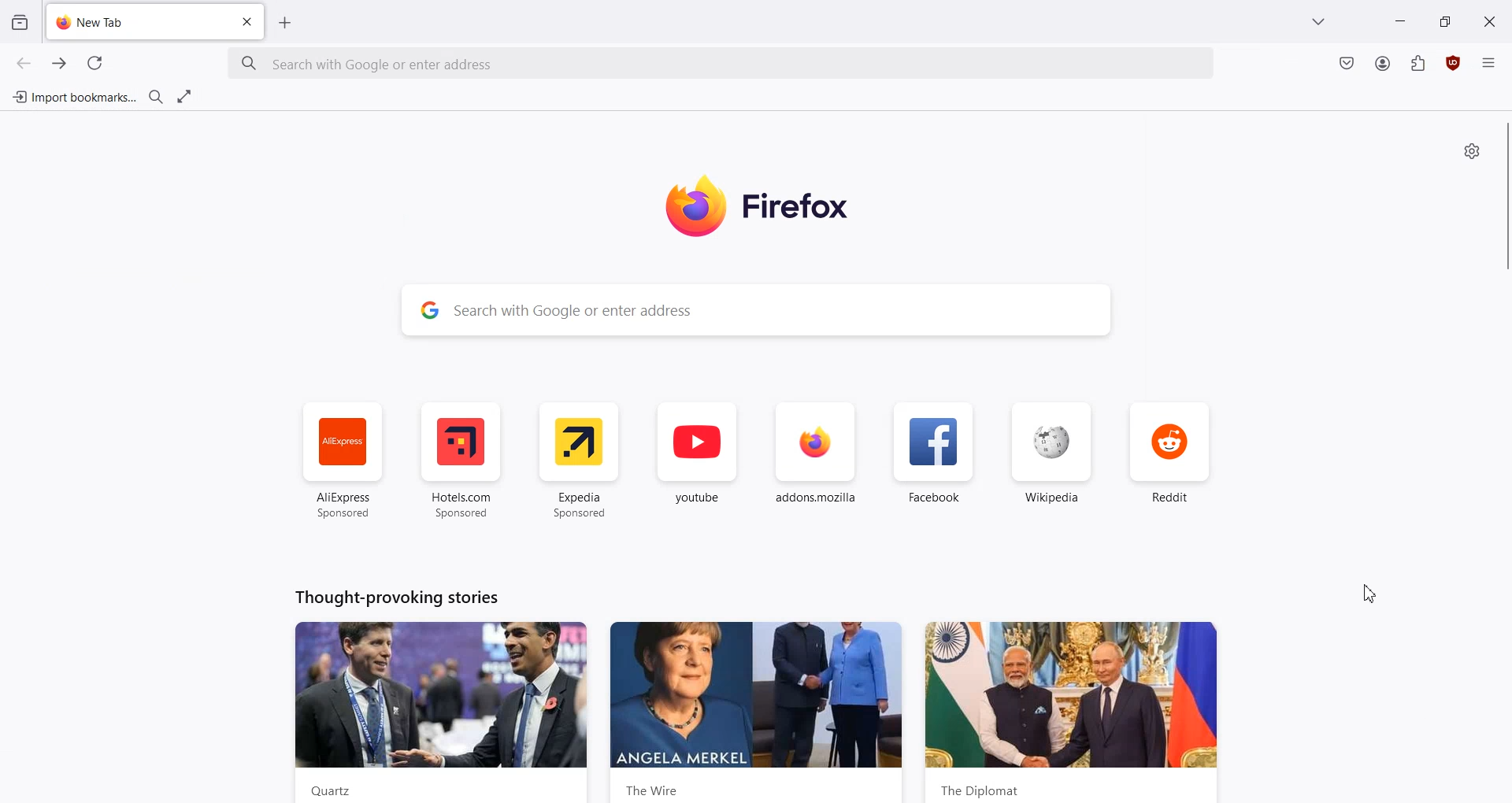 Image resolution: width=1512 pixels, height=803 pixels. I want to click on Personalize new Tab, so click(1471, 150).